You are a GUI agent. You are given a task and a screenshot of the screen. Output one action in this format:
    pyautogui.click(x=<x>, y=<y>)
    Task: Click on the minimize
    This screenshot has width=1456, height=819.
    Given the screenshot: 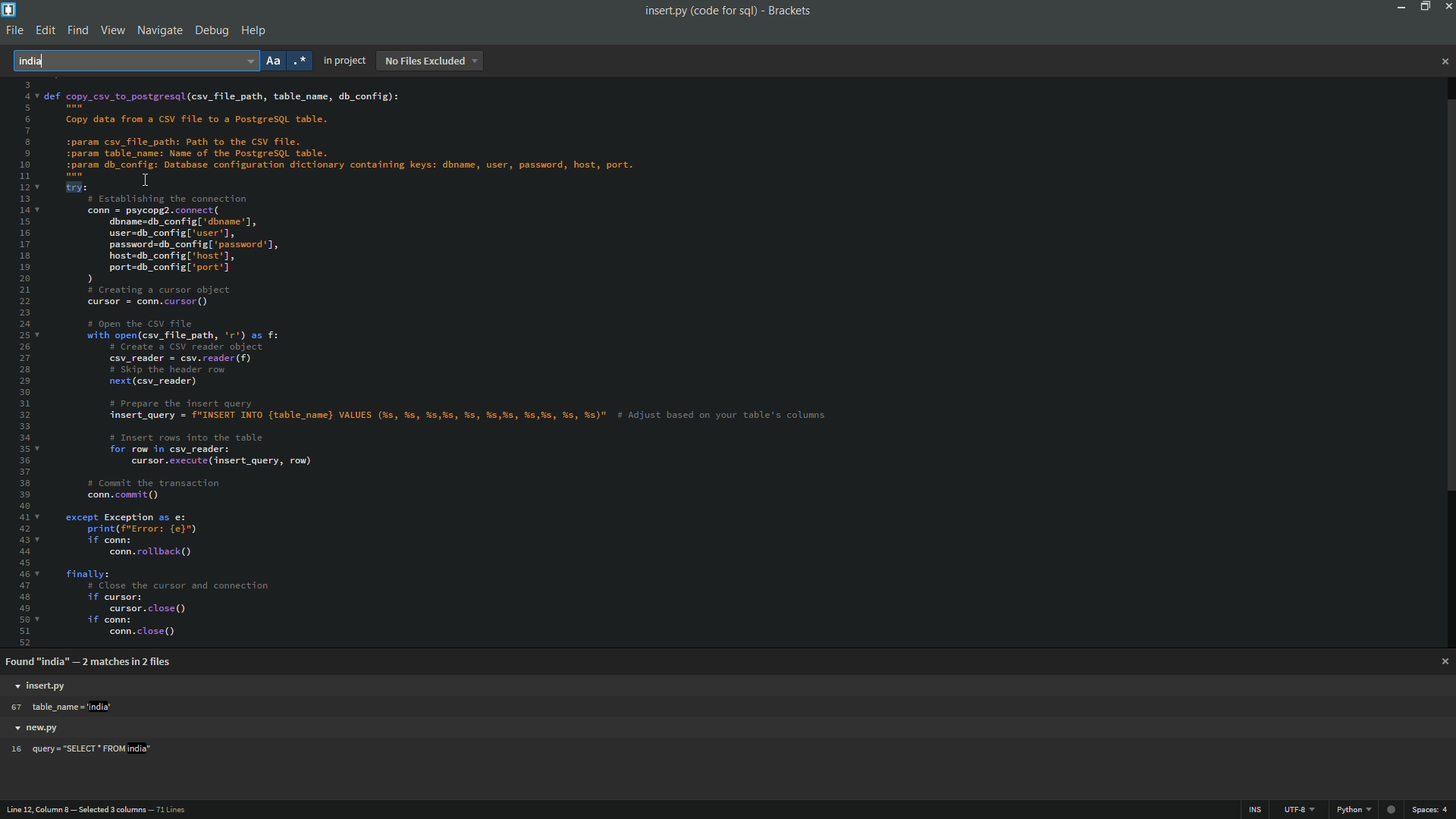 What is the action you would take?
    pyautogui.click(x=1396, y=6)
    